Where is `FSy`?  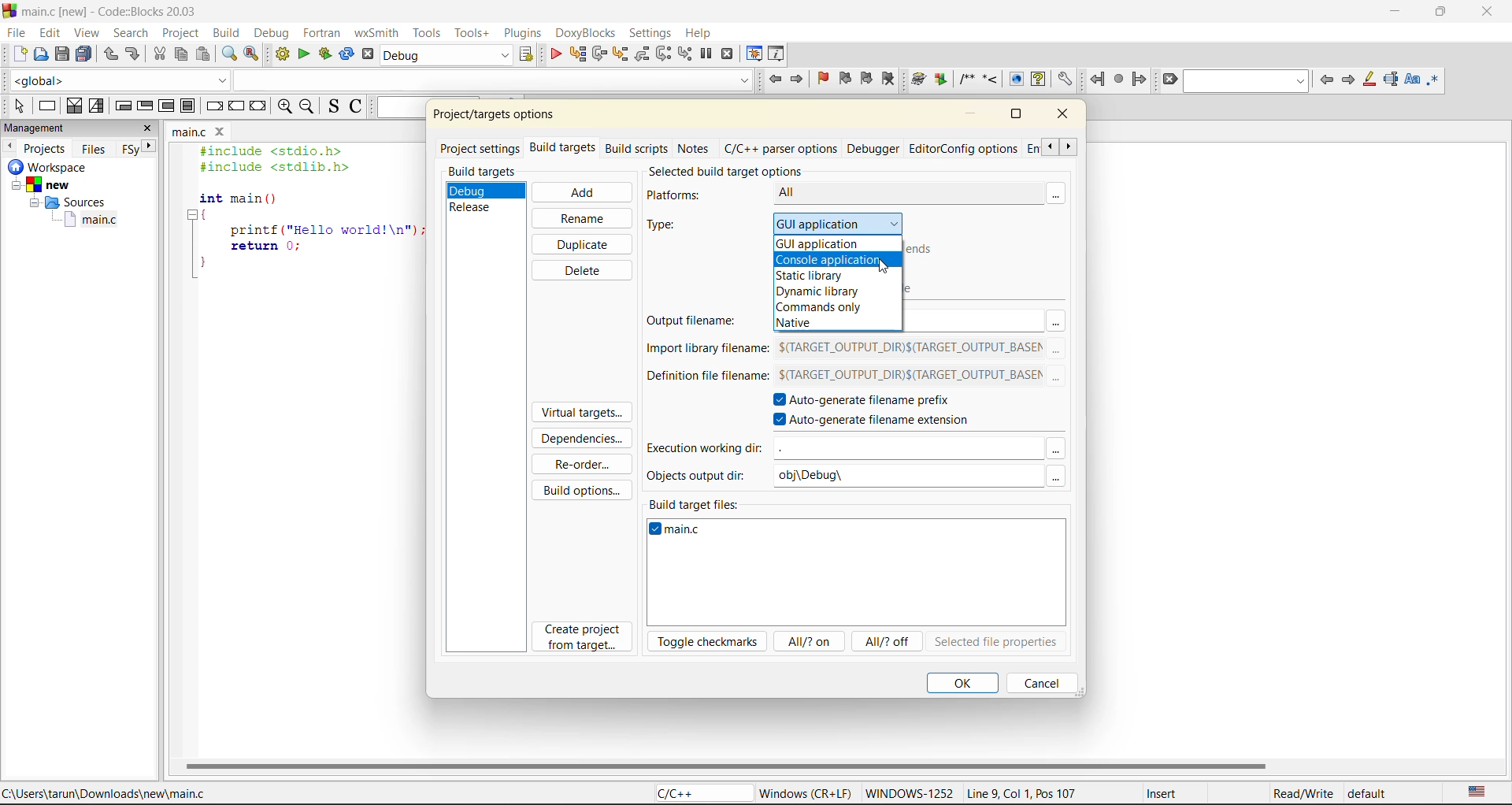 FSy is located at coordinates (131, 148).